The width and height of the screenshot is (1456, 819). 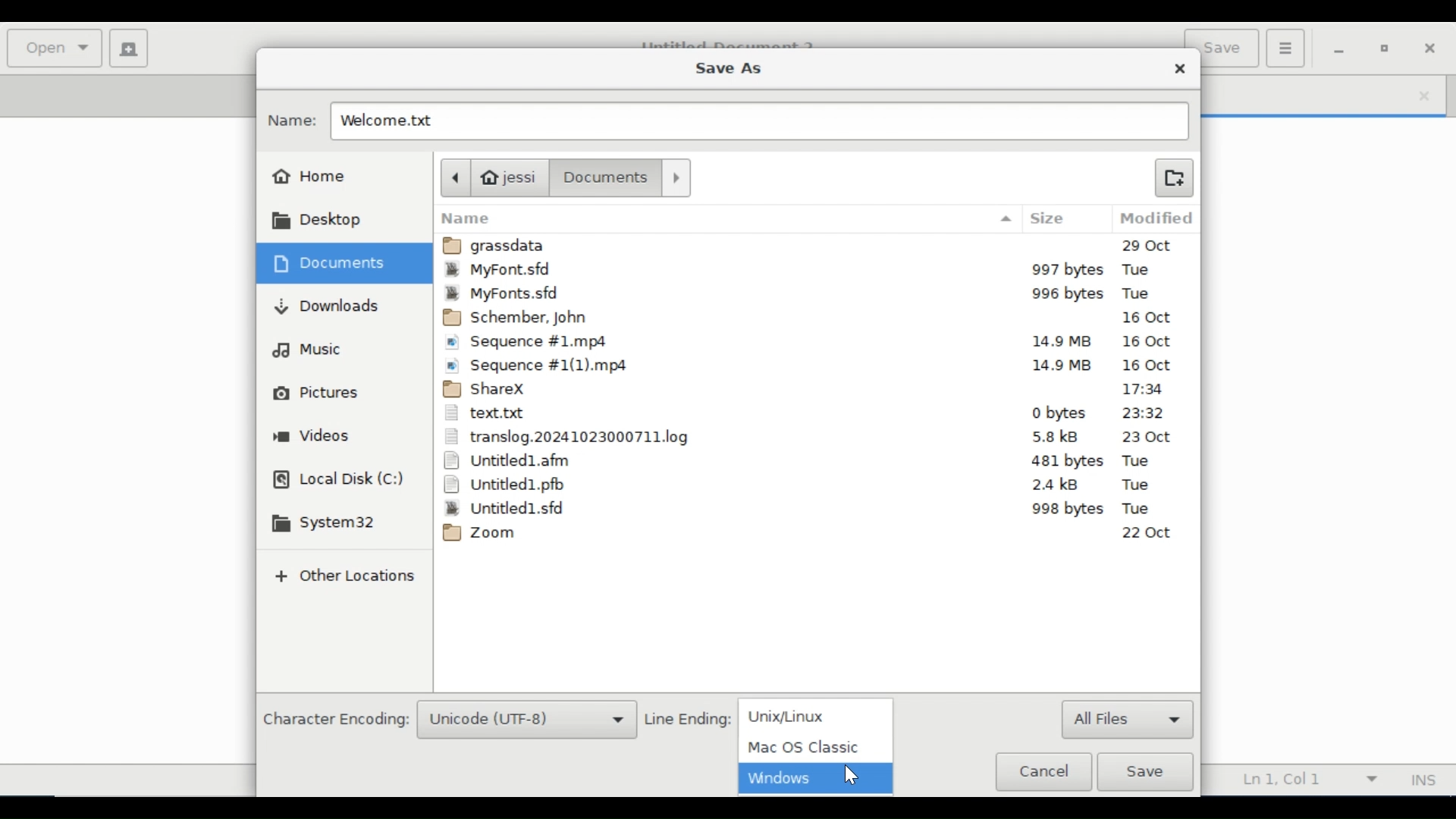 What do you see at coordinates (331, 262) in the screenshot?
I see `Documents` at bounding box center [331, 262].